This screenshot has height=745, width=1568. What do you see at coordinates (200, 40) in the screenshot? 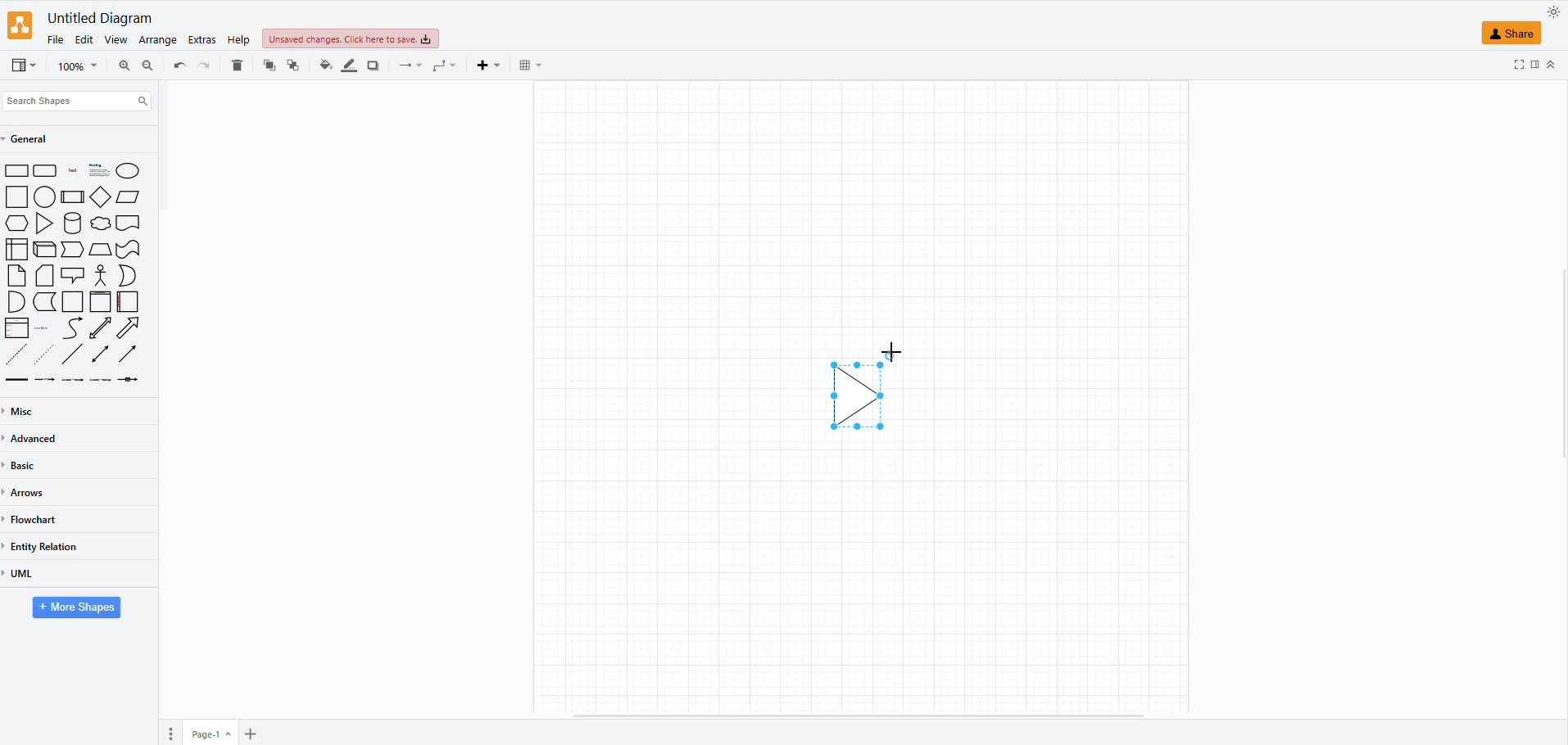
I see `extras` at bounding box center [200, 40].